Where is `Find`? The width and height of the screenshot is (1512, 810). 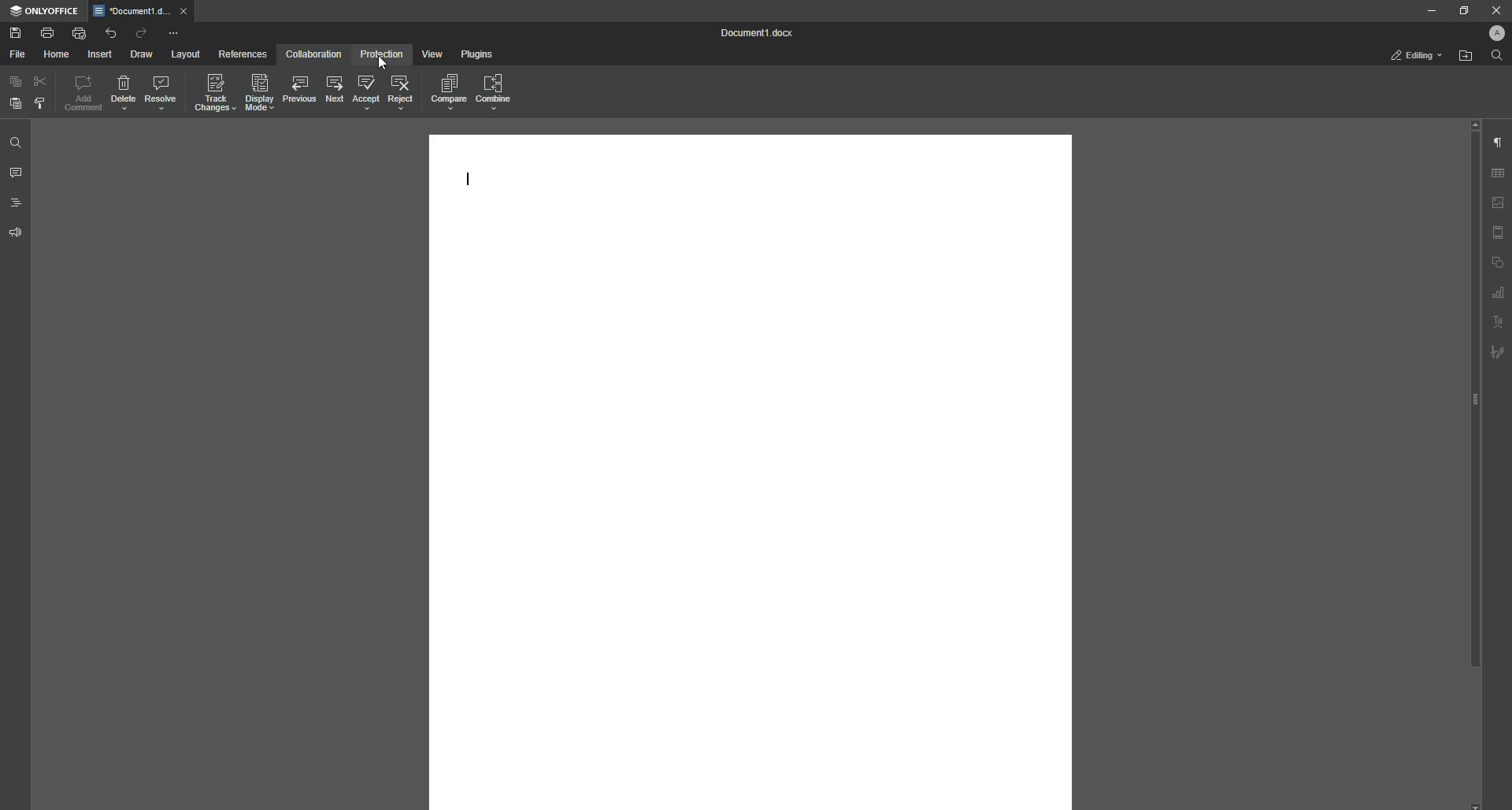
Find is located at coordinates (1499, 55).